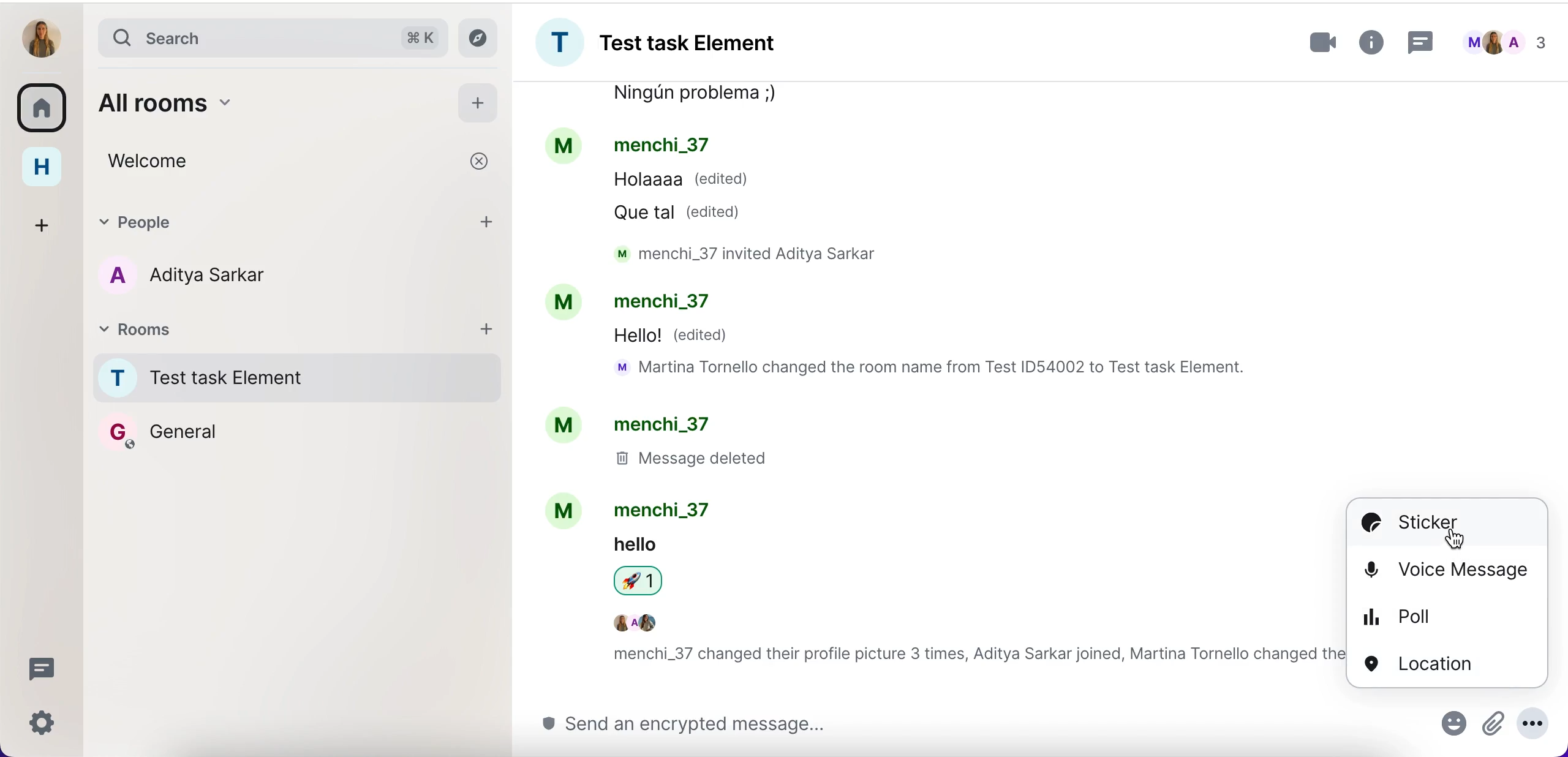 This screenshot has height=757, width=1568. I want to click on user, so click(43, 36).